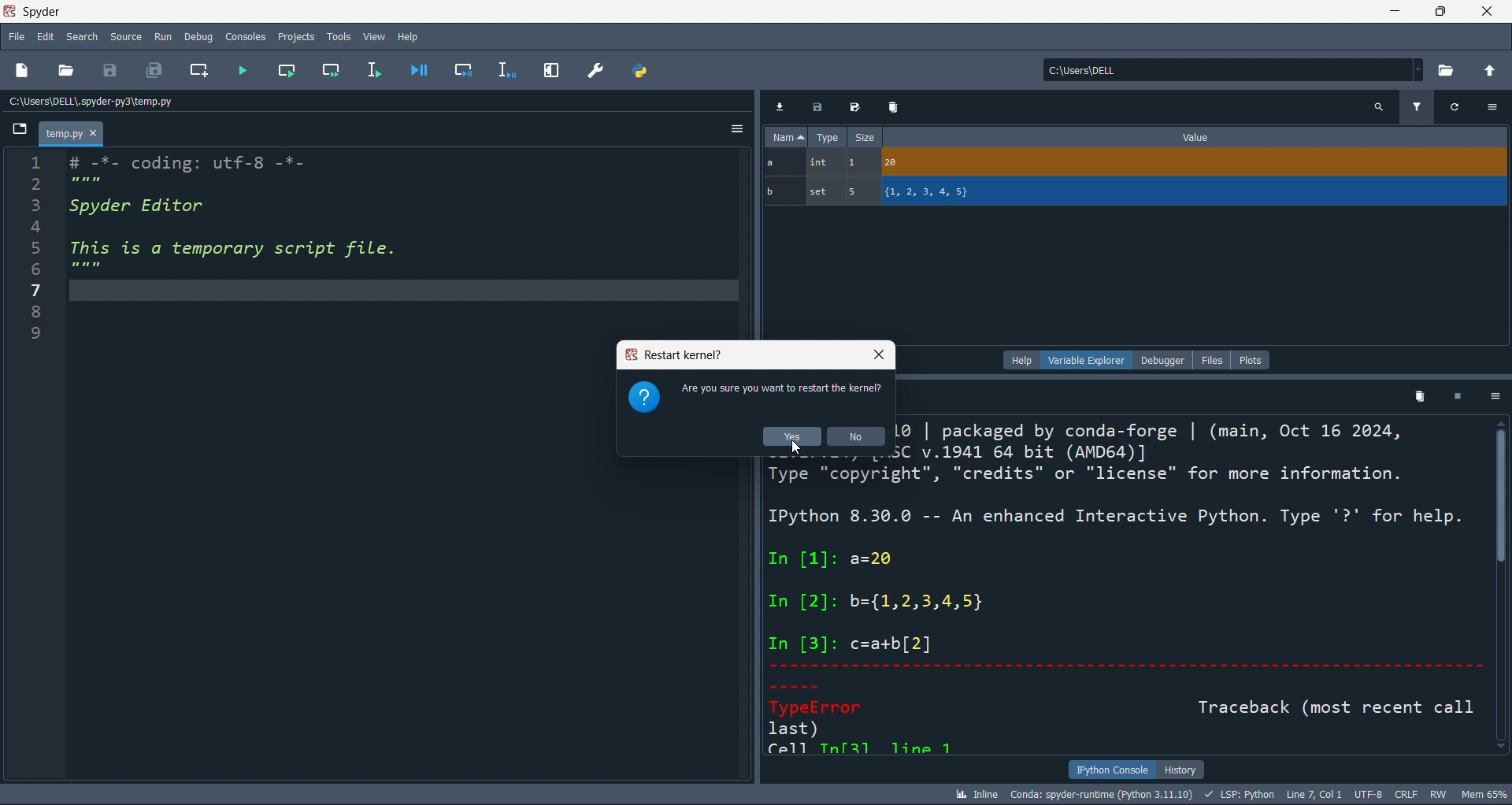 This screenshot has height=805, width=1512. What do you see at coordinates (82, 37) in the screenshot?
I see `search` at bounding box center [82, 37].